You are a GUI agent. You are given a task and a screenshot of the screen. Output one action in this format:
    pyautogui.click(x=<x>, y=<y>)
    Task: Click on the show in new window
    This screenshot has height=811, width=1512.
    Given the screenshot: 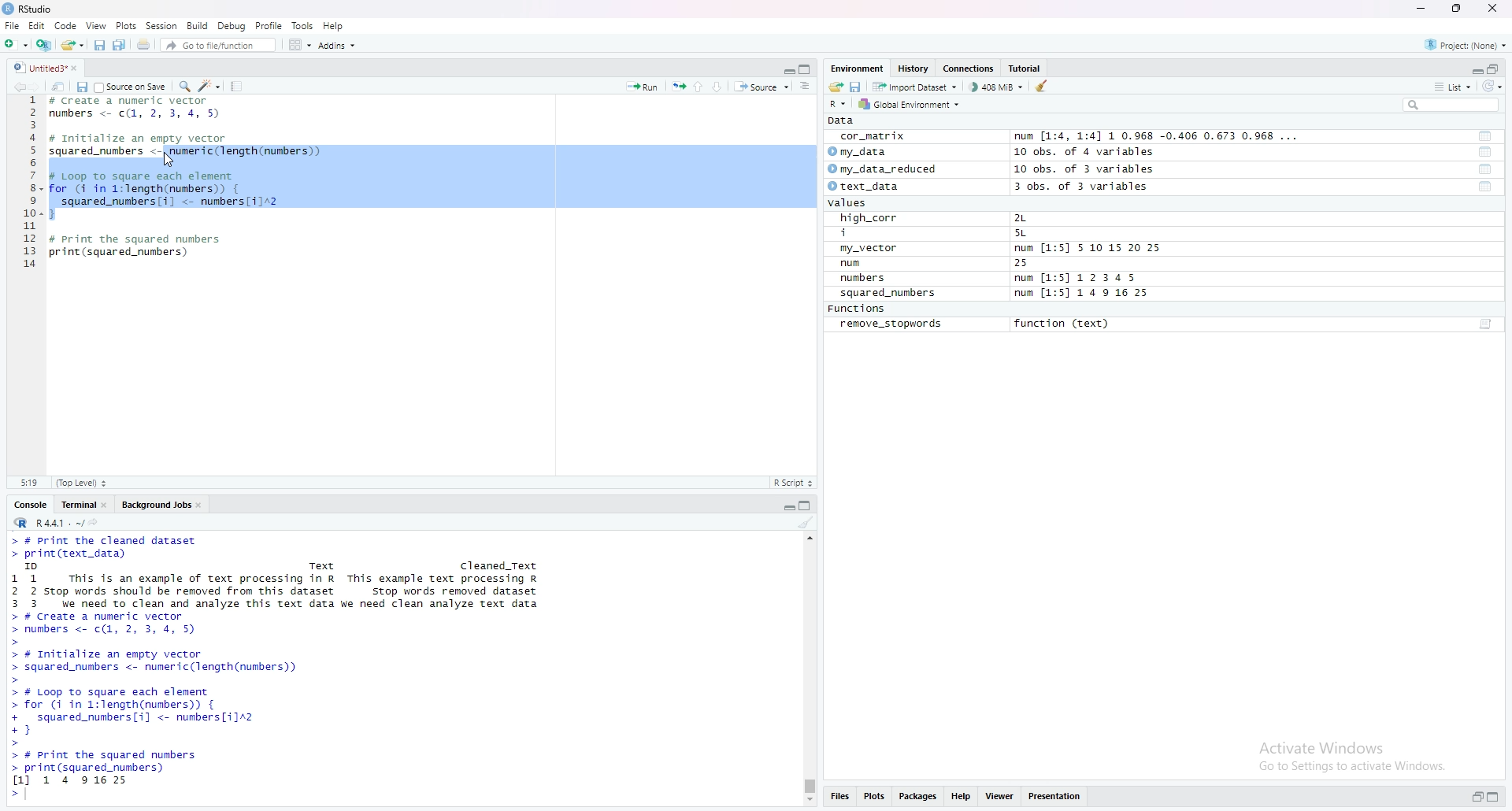 What is the action you would take?
    pyautogui.click(x=58, y=85)
    